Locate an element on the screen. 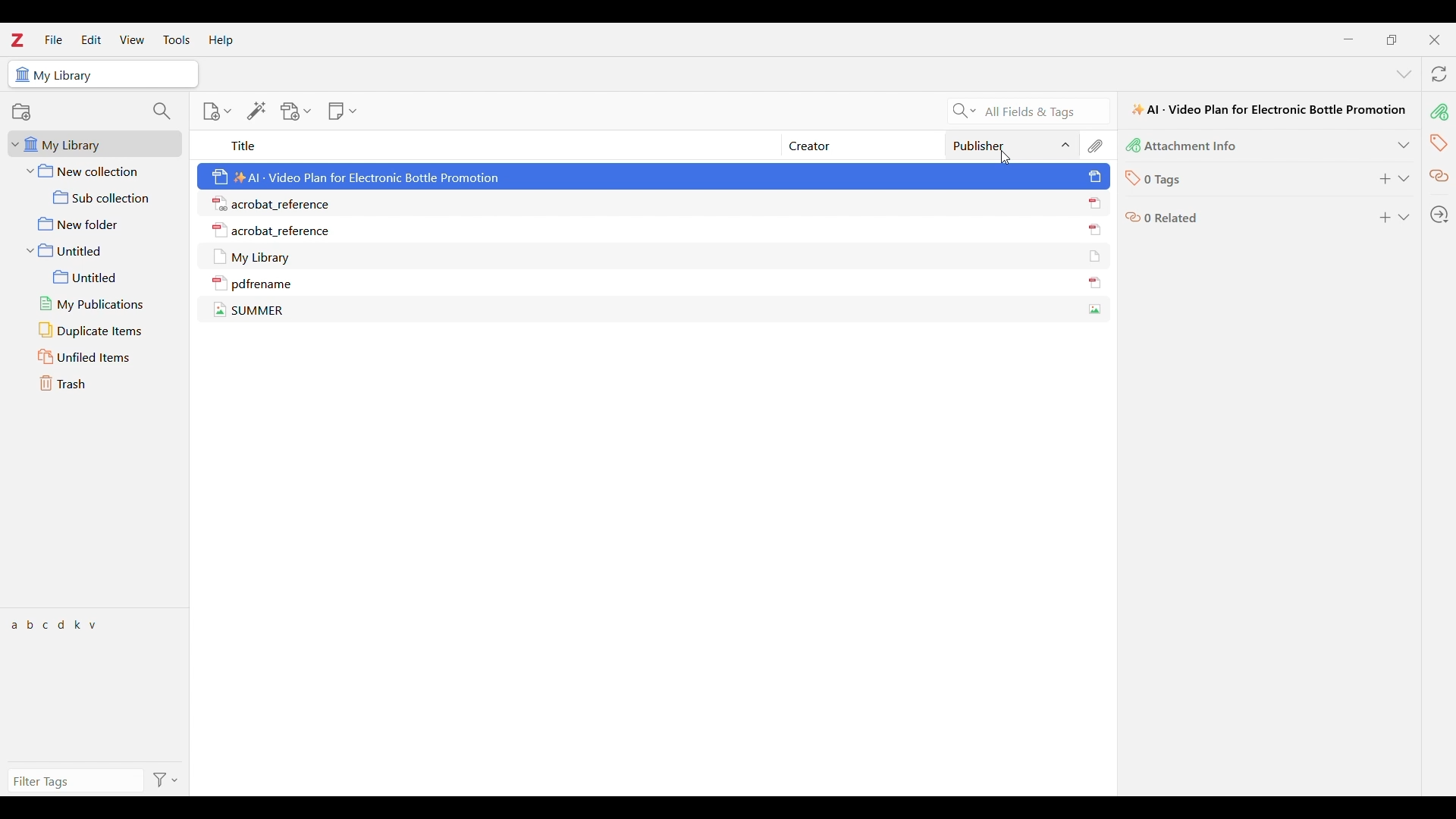 Image resolution: width=1456 pixels, height=819 pixels. pdfrename is located at coordinates (254, 283).